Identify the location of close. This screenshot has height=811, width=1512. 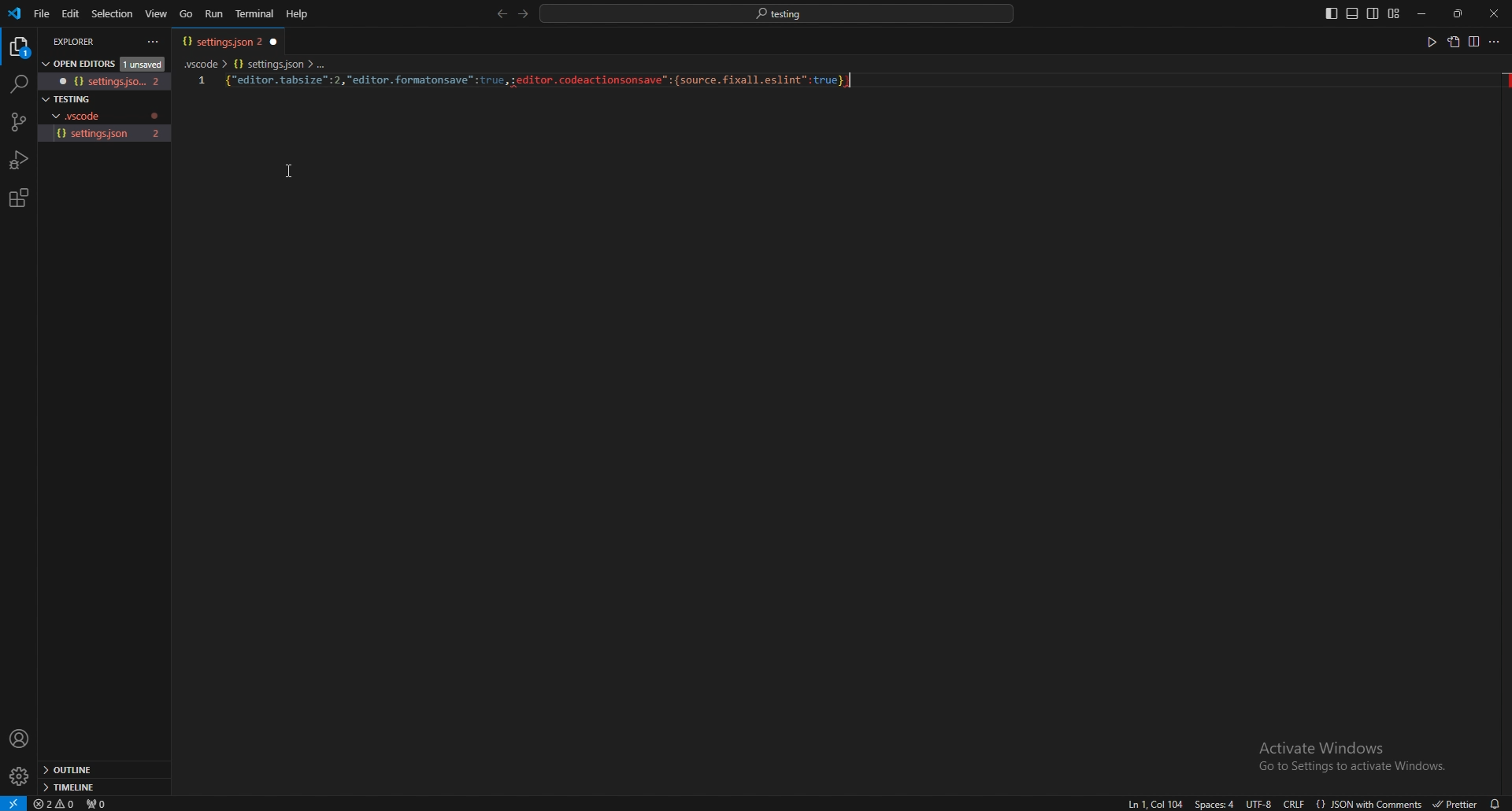
(1494, 13).